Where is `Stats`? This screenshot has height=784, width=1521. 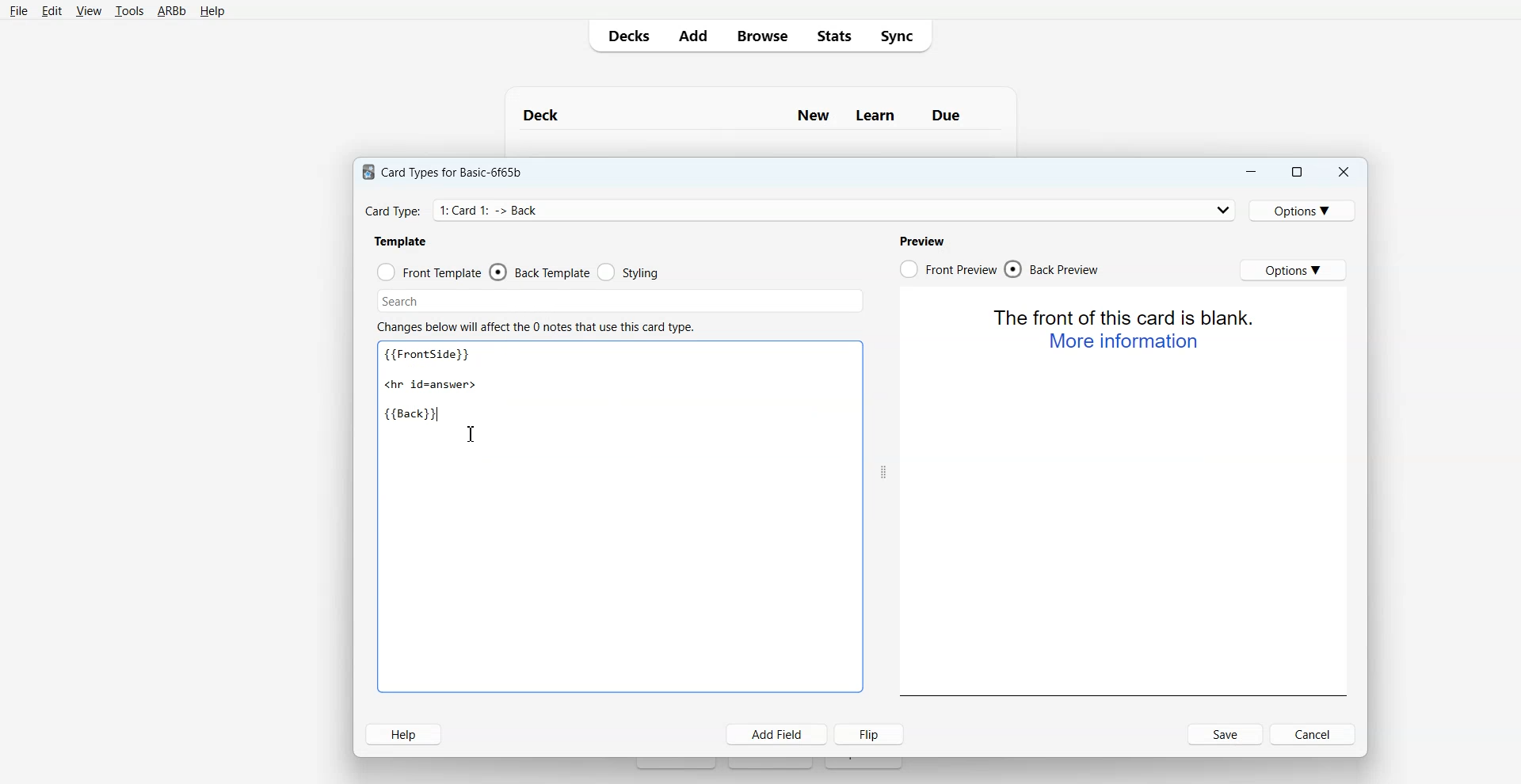 Stats is located at coordinates (831, 36).